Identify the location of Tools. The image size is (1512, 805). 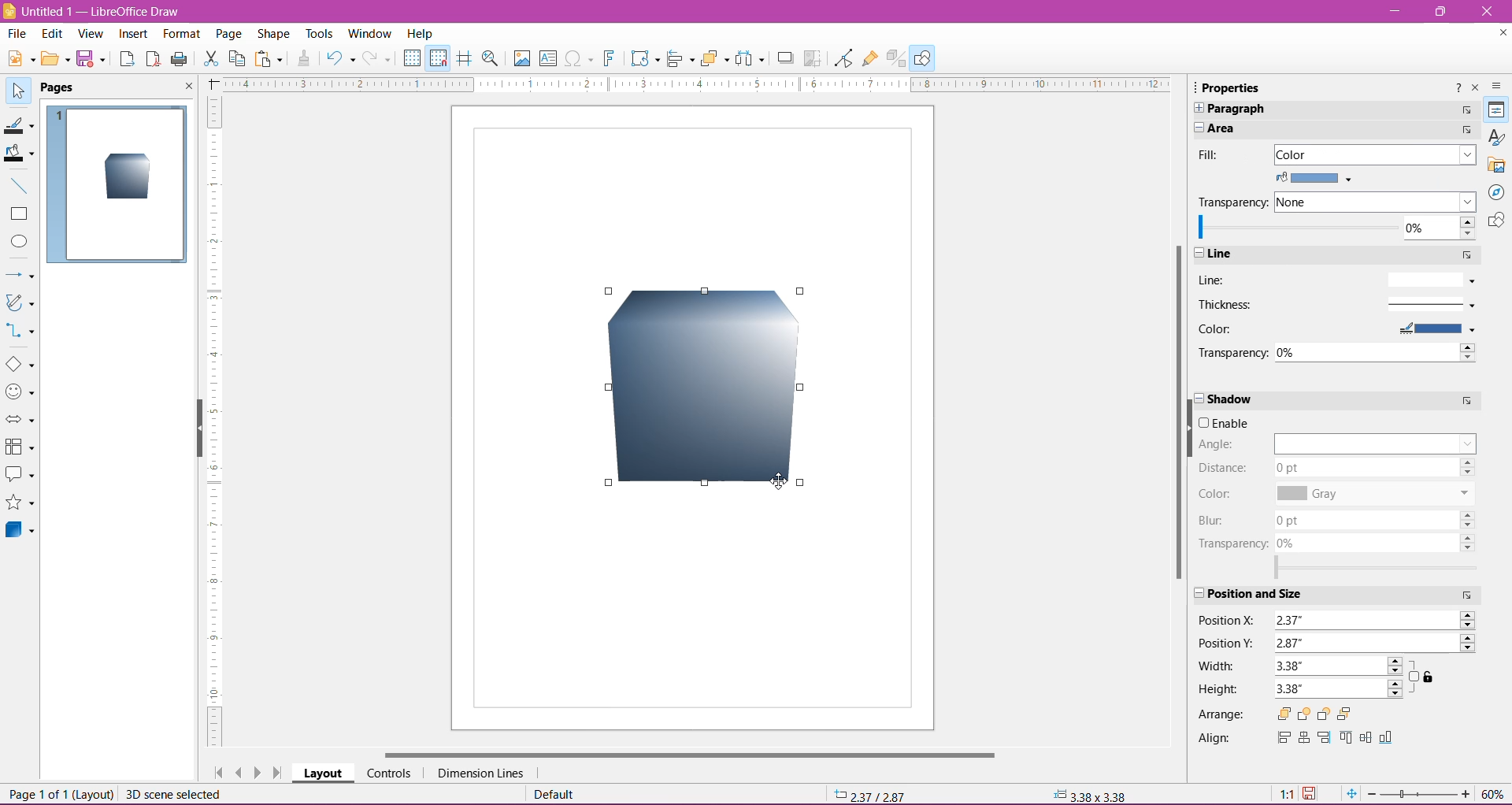
(321, 34).